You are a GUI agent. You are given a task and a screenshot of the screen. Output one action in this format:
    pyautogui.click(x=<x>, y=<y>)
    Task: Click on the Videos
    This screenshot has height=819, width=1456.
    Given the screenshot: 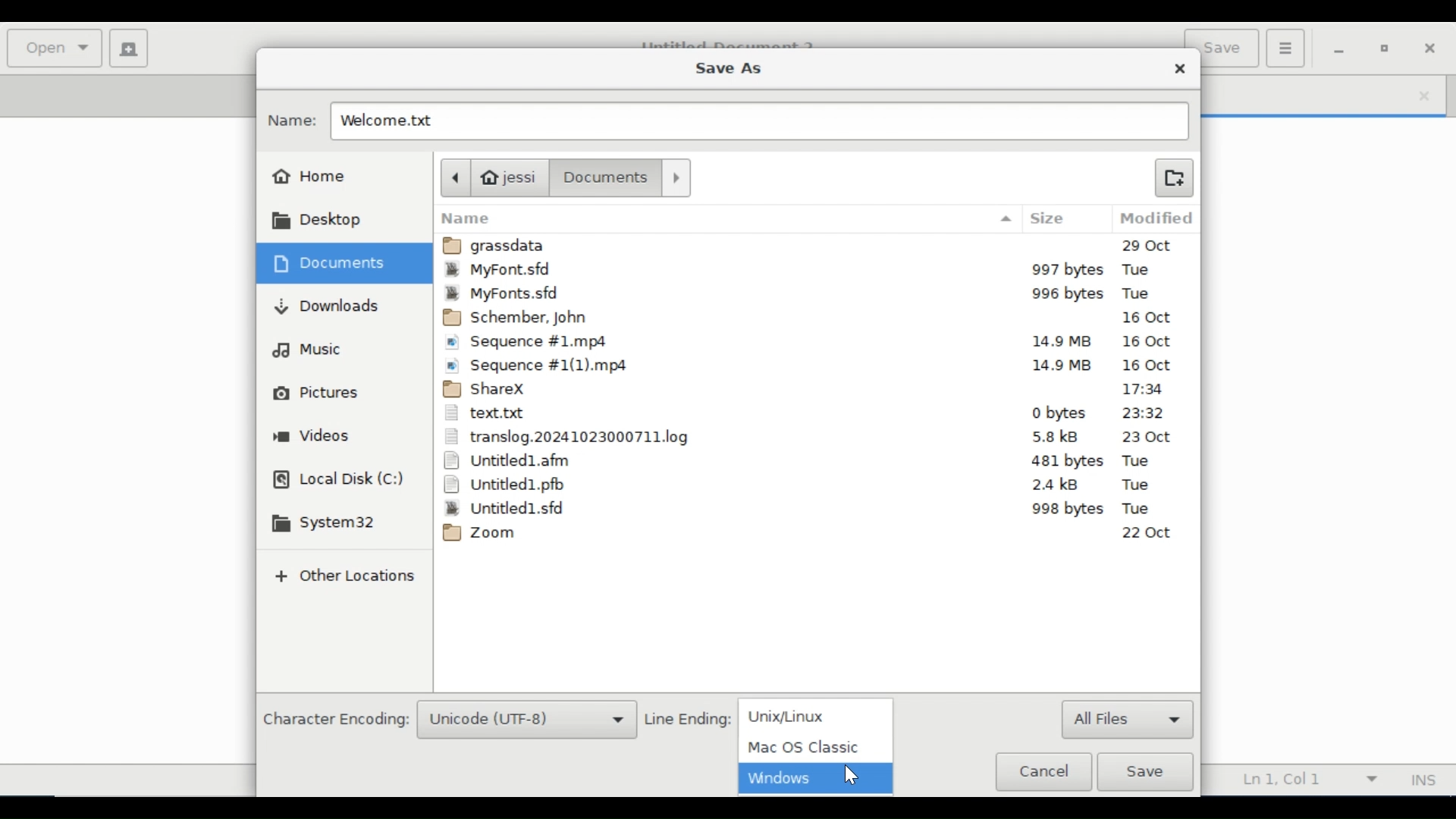 What is the action you would take?
    pyautogui.click(x=312, y=437)
    